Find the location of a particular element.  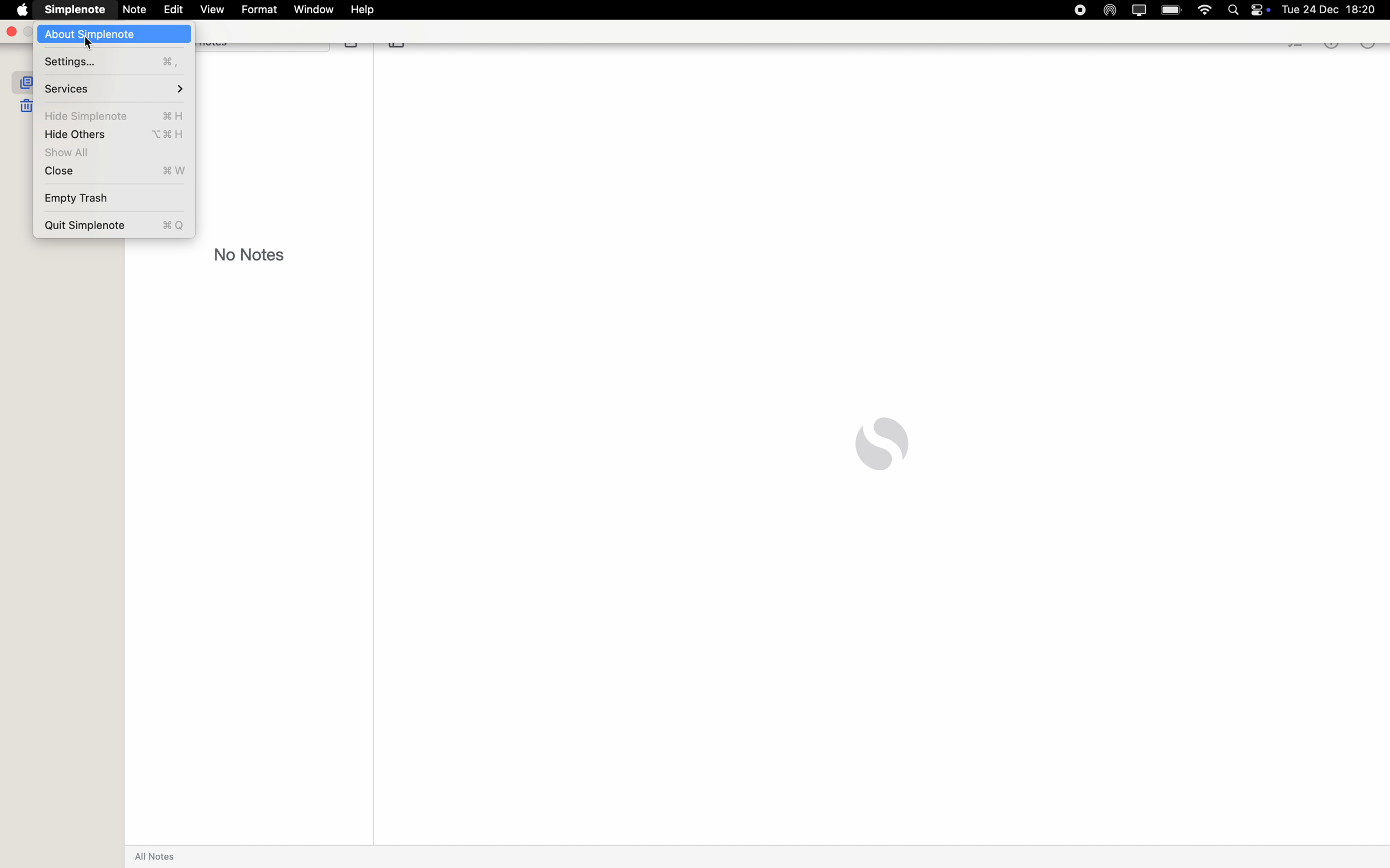

trash is located at coordinates (25, 105).